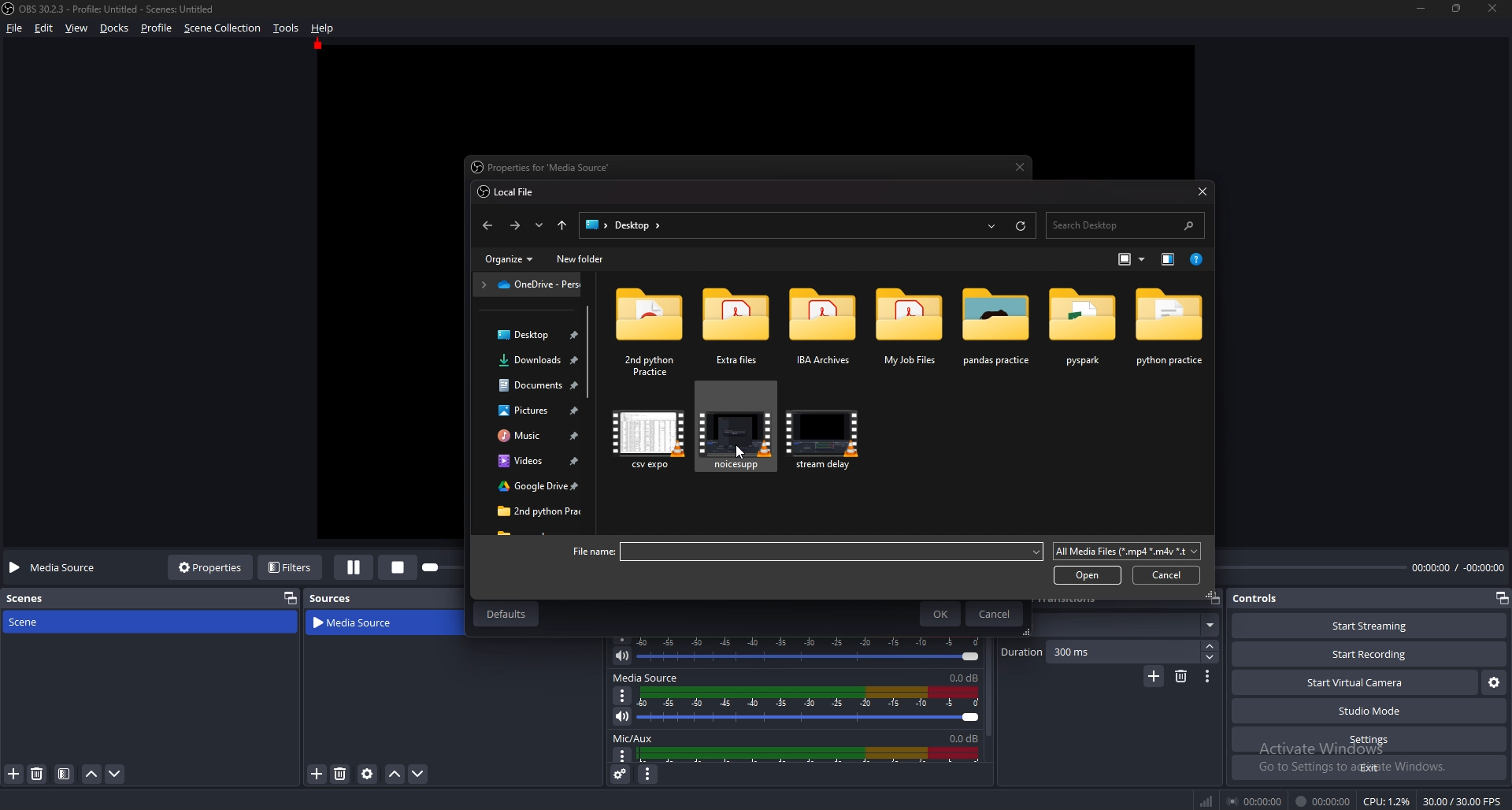 This screenshot has height=810, width=1512. Describe the element at coordinates (15, 774) in the screenshot. I see `add scene` at that location.